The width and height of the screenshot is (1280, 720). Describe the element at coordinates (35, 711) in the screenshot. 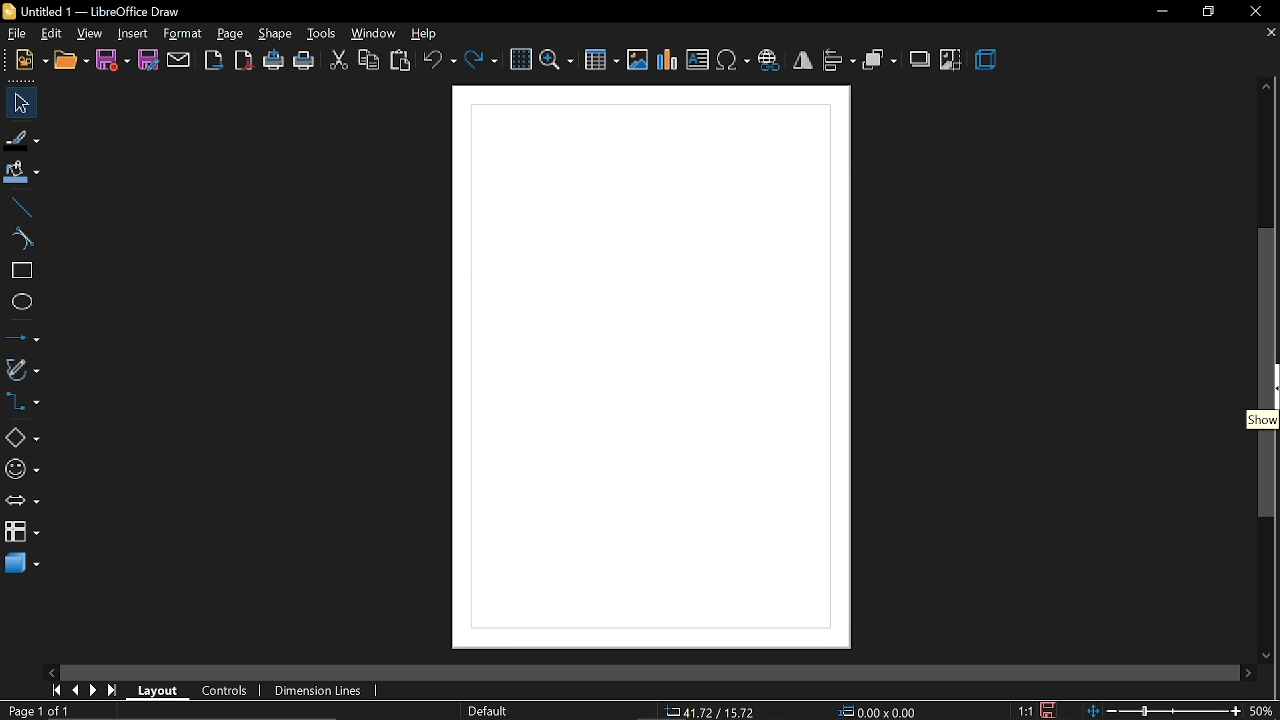

I see `current page` at that location.